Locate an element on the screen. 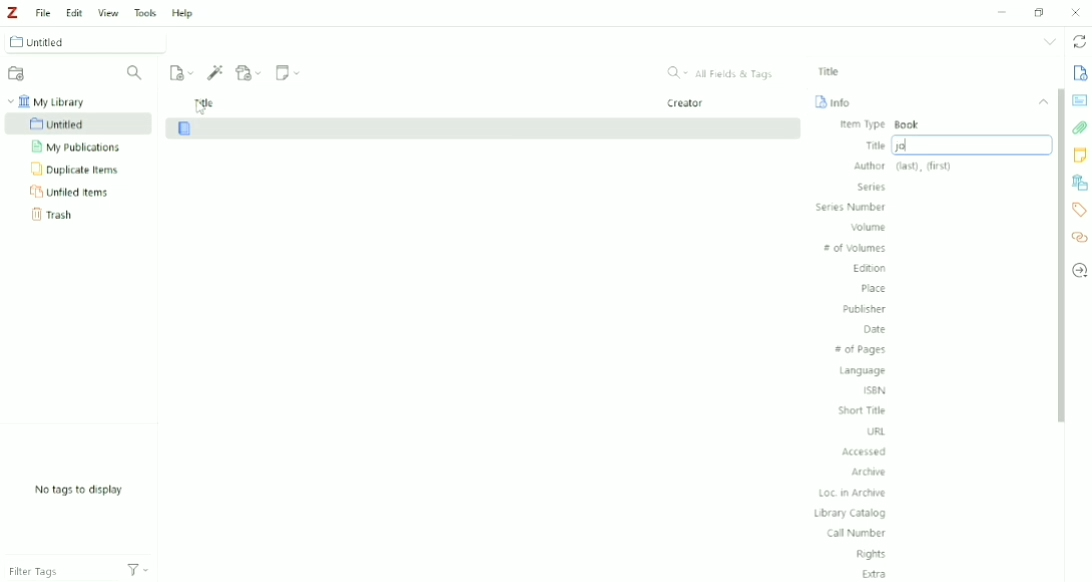 This screenshot has height=582, width=1092. Duplicate Items is located at coordinates (77, 170).